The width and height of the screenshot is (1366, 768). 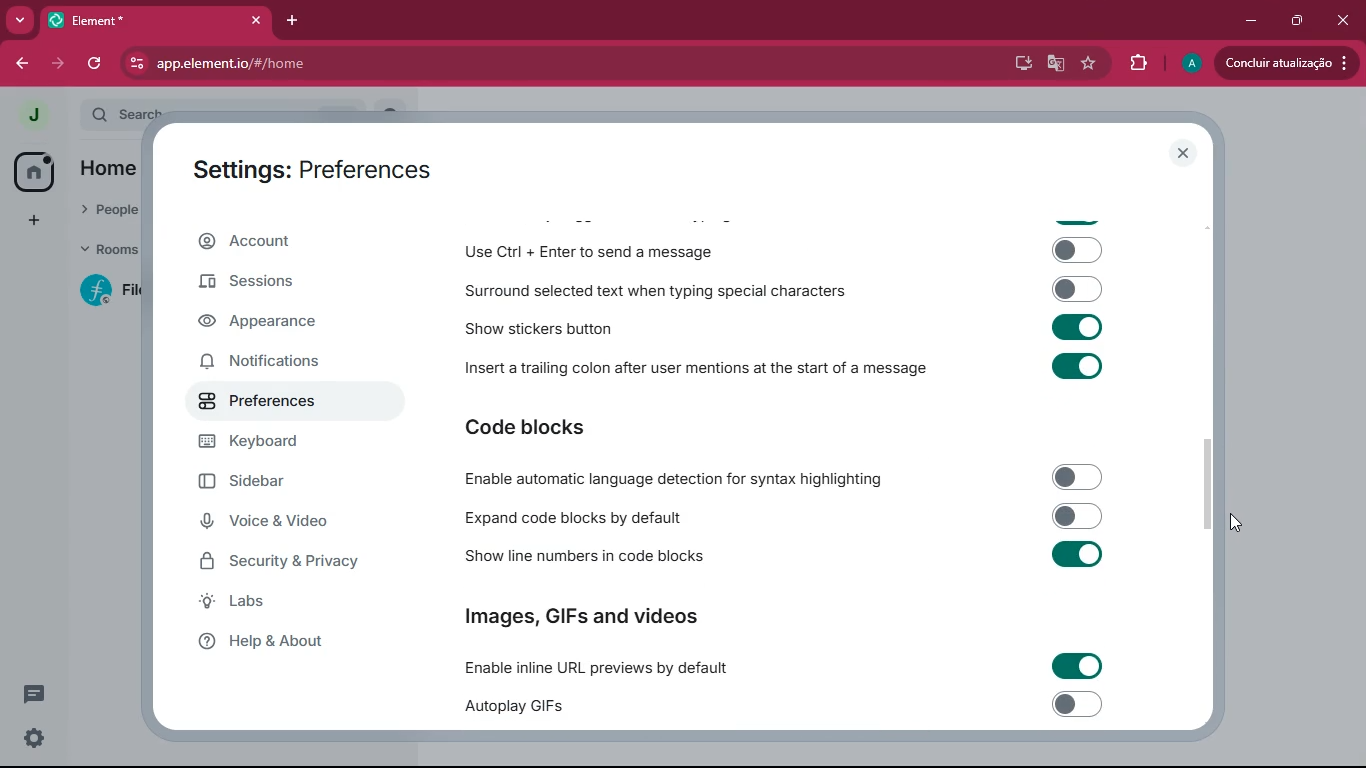 What do you see at coordinates (782, 252) in the screenshot?
I see `Use Ctrl + Enter to send a message` at bounding box center [782, 252].